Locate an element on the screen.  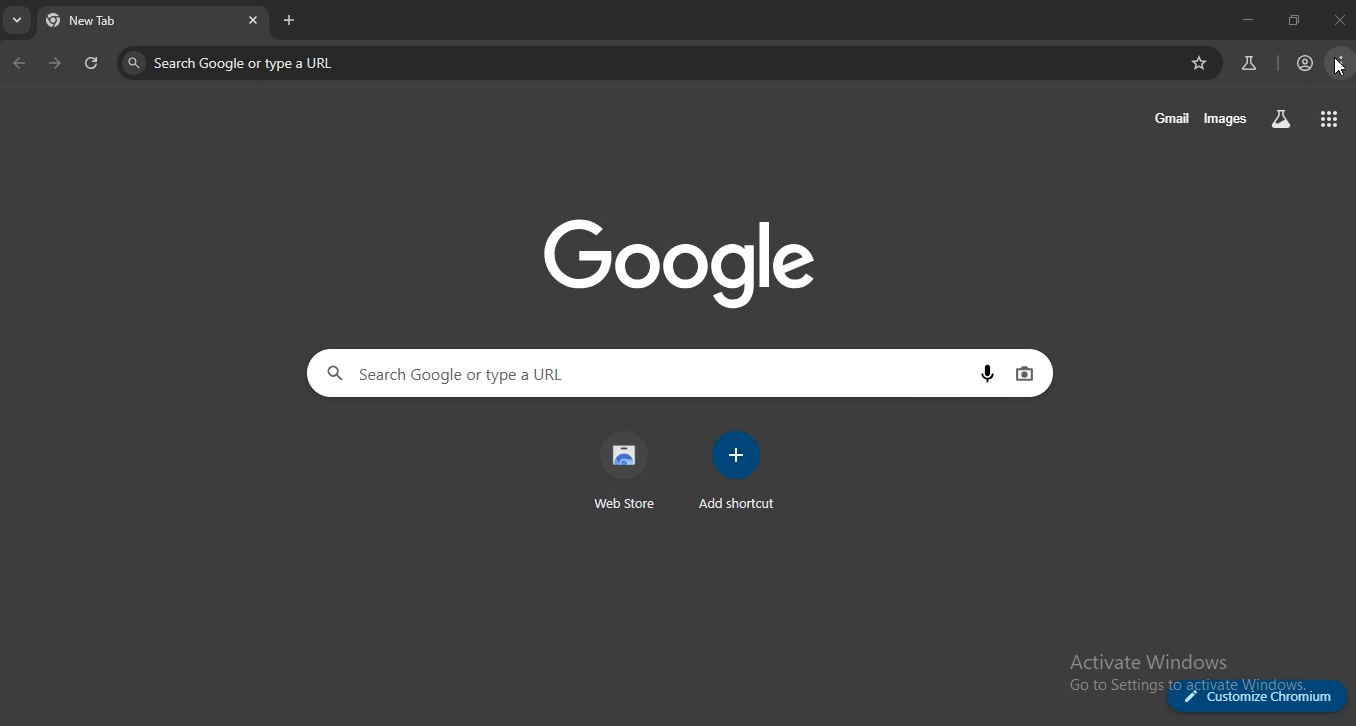
refresh is located at coordinates (92, 65).